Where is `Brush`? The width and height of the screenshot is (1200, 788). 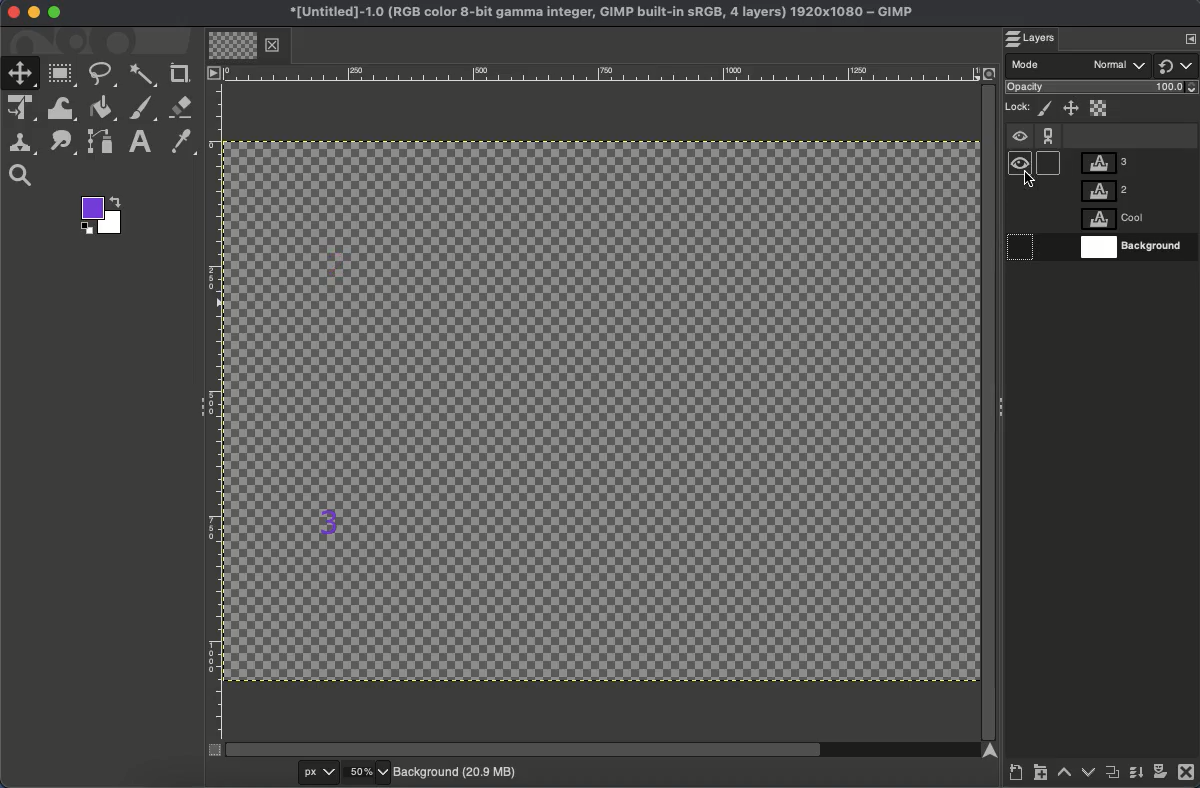
Brush is located at coordinates (143, 109).